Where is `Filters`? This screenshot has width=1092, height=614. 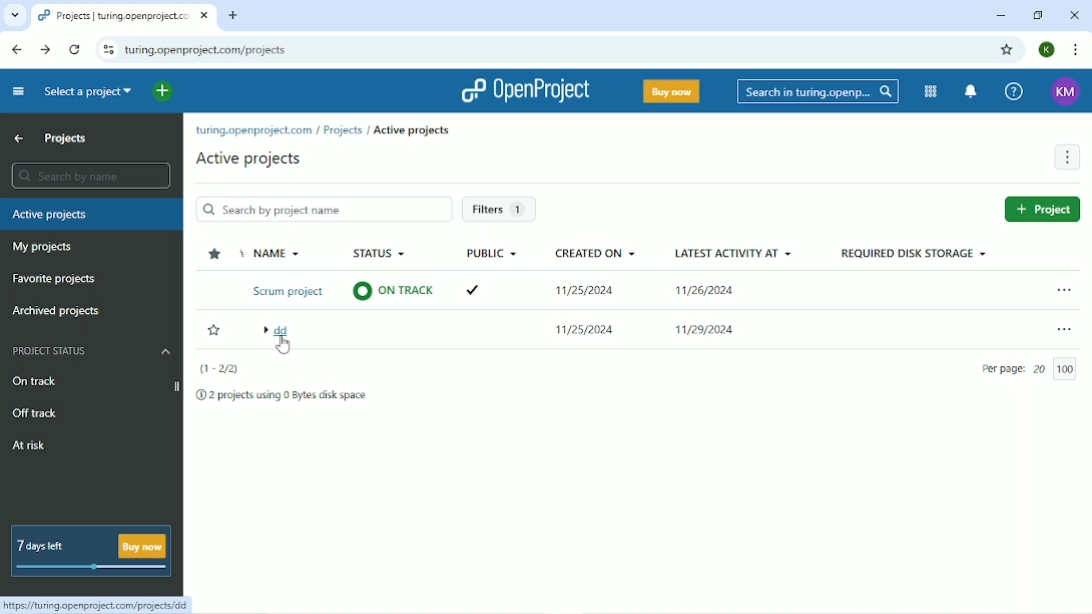
Filters is located at coordinates (498, 208).